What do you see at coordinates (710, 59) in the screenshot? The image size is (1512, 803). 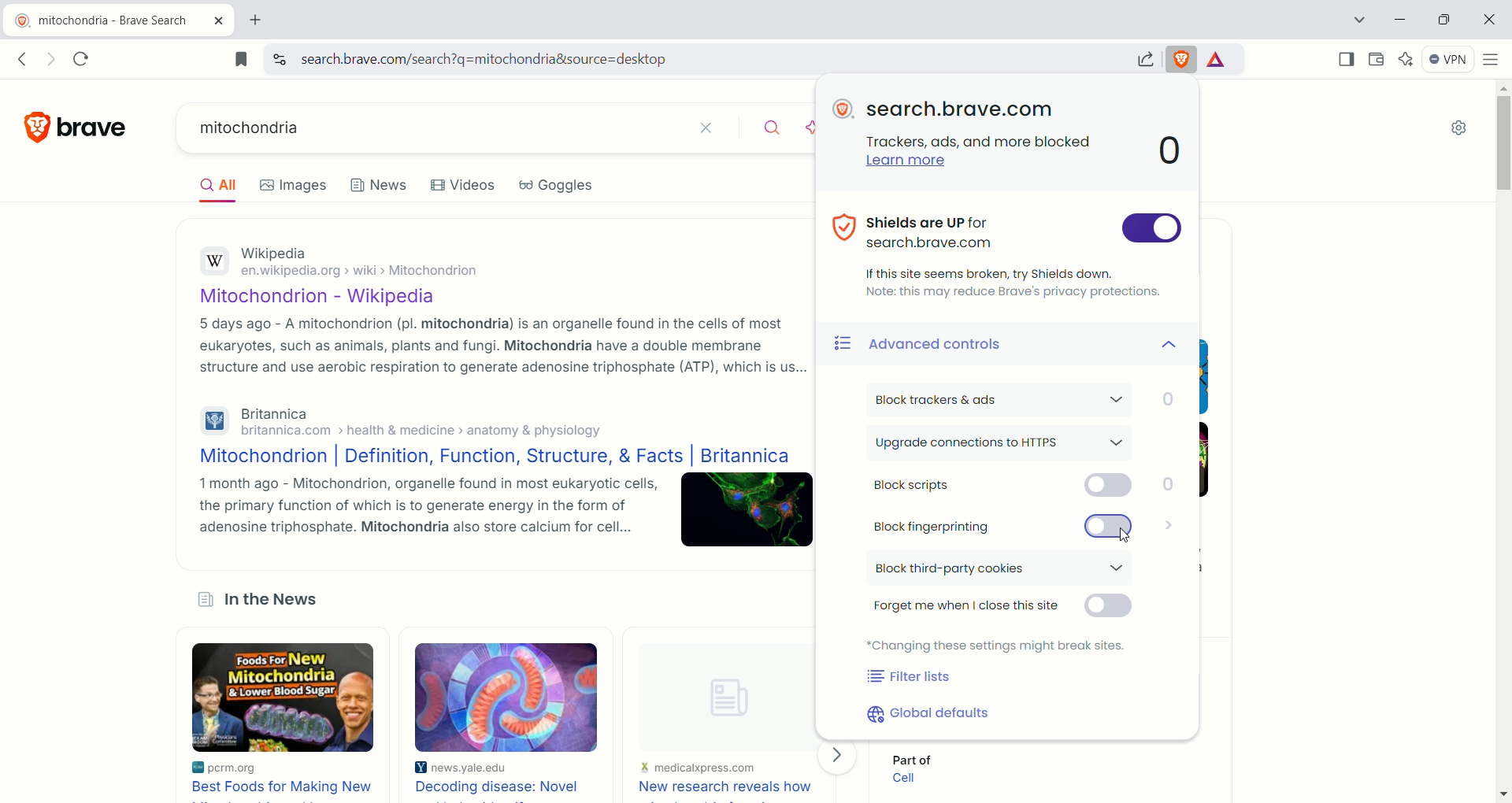 I see `search.brave.com/search?q=mitochondria&source=desktop` at bounding box center [710, 59].